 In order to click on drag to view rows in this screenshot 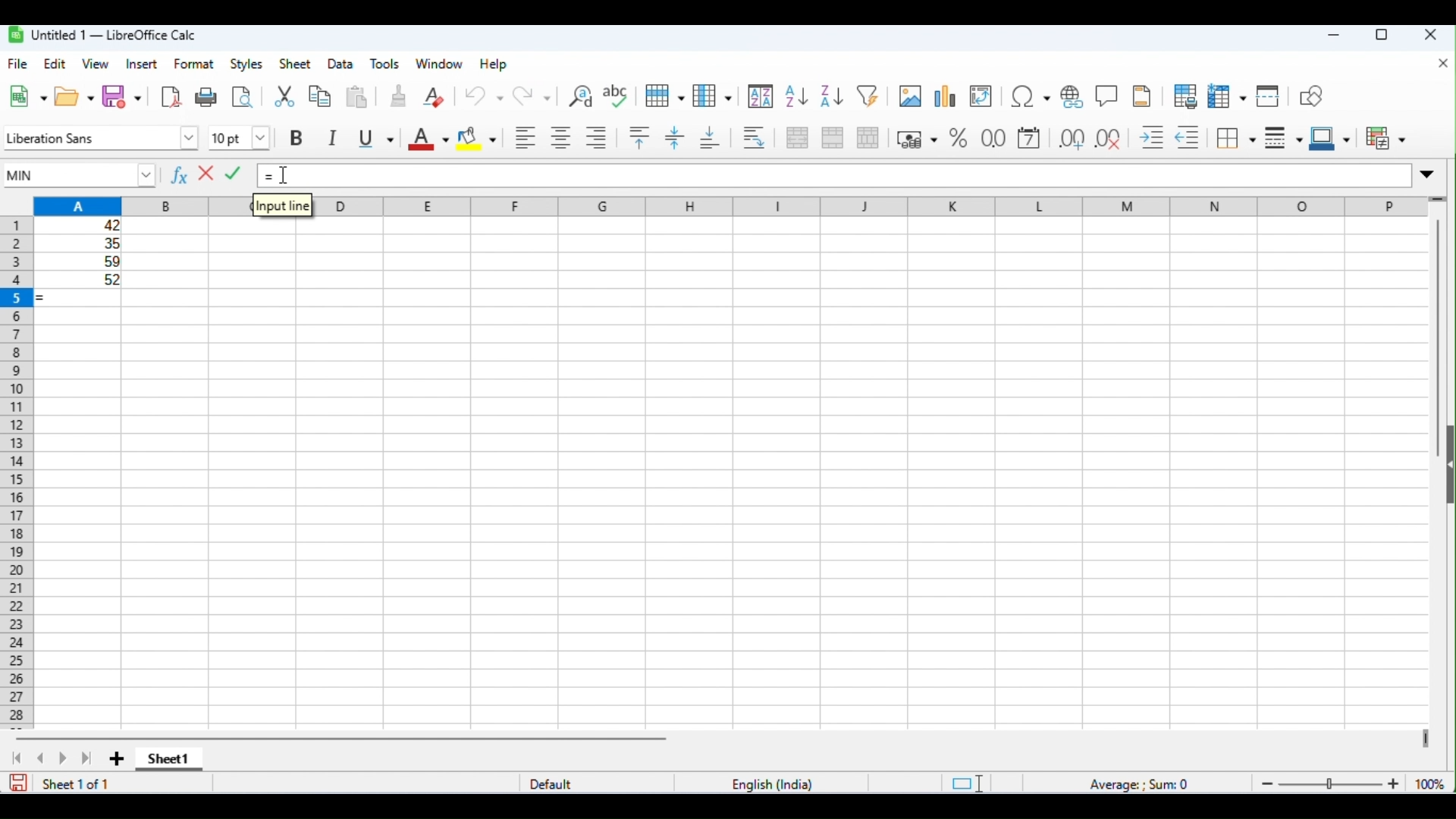, I will do `click(1438, 197)`.